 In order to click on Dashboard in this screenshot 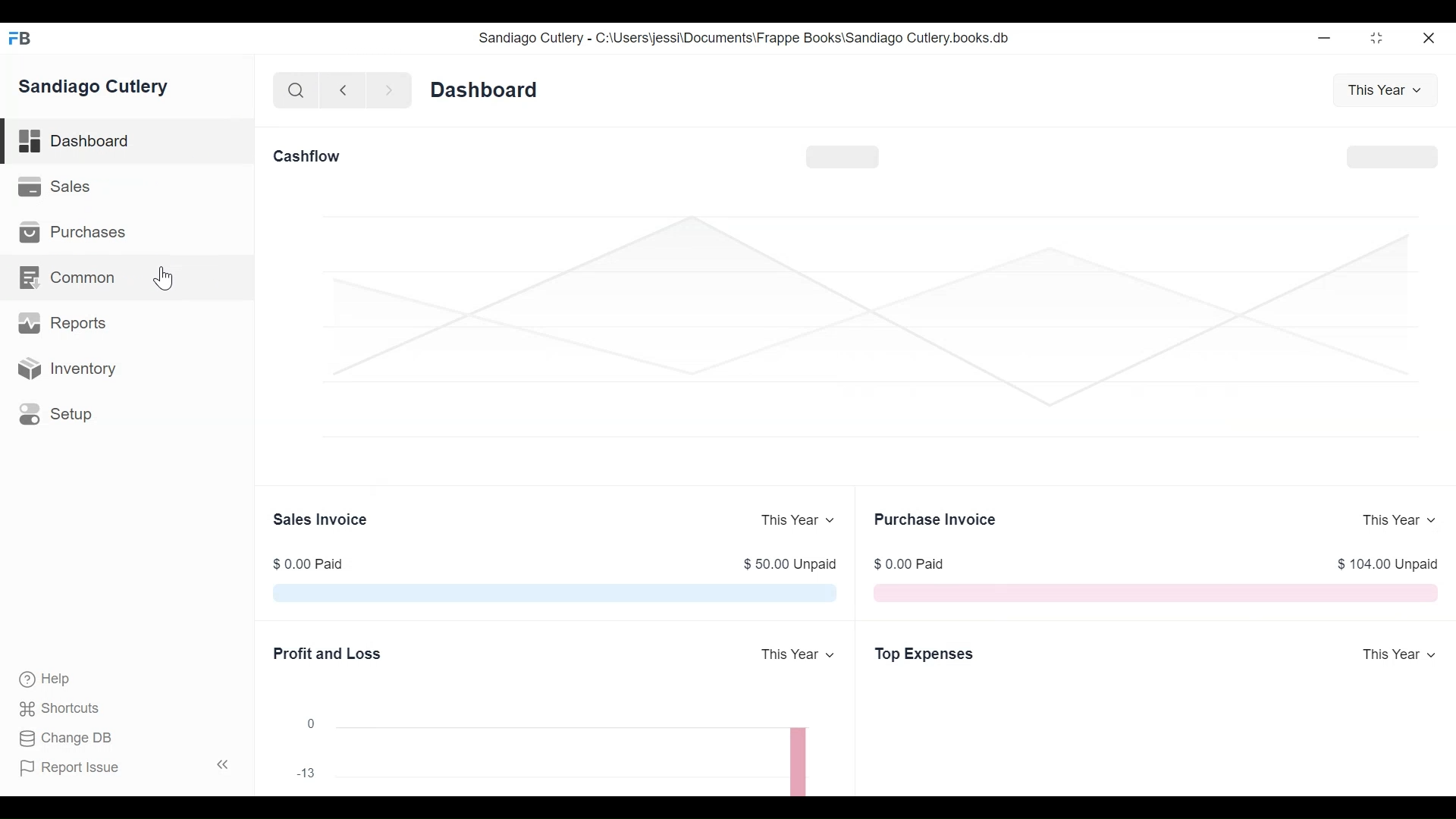, I will do `click(129, 142)`.